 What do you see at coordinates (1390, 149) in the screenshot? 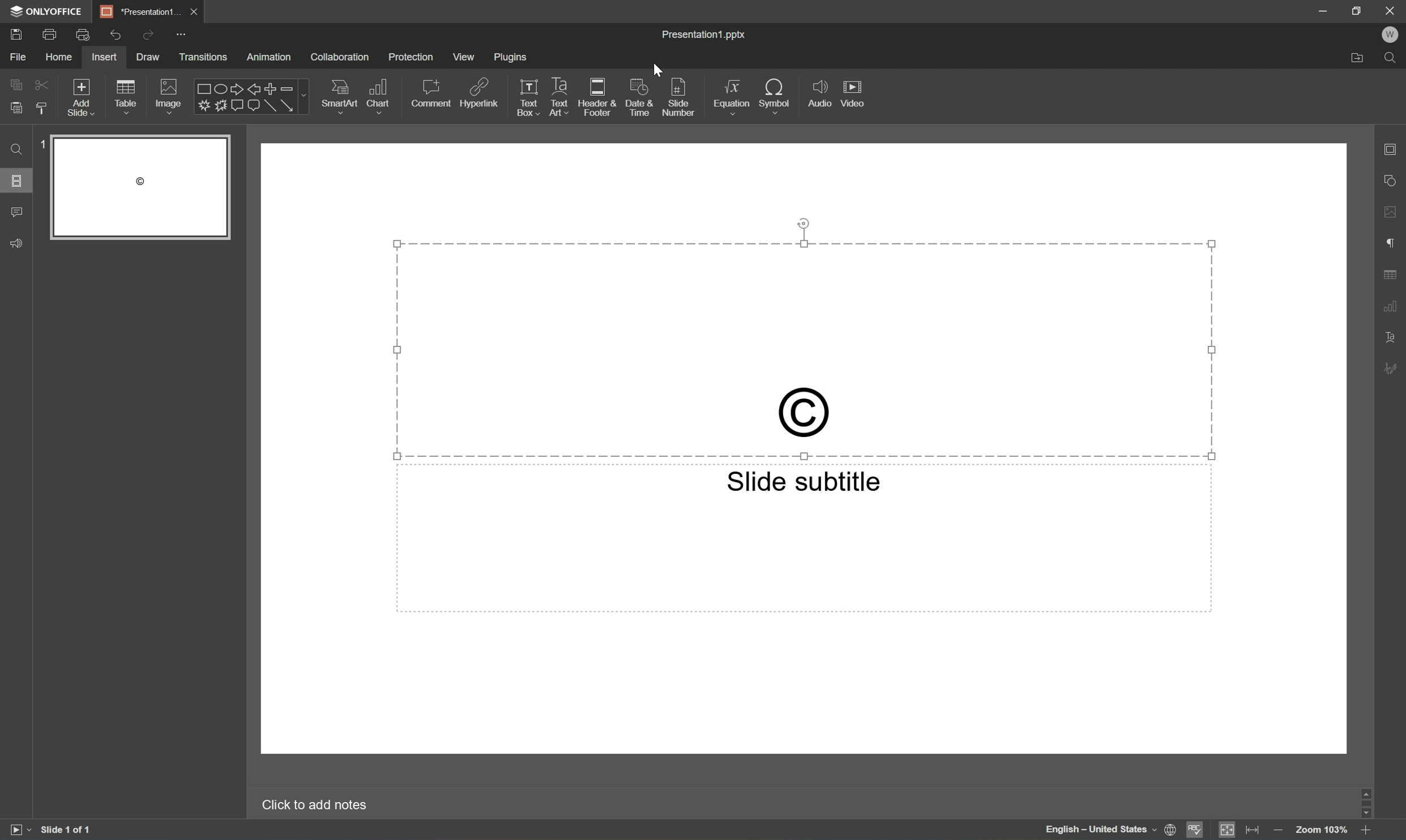
I see `Slide settings` at bounding box center [1390, 149].